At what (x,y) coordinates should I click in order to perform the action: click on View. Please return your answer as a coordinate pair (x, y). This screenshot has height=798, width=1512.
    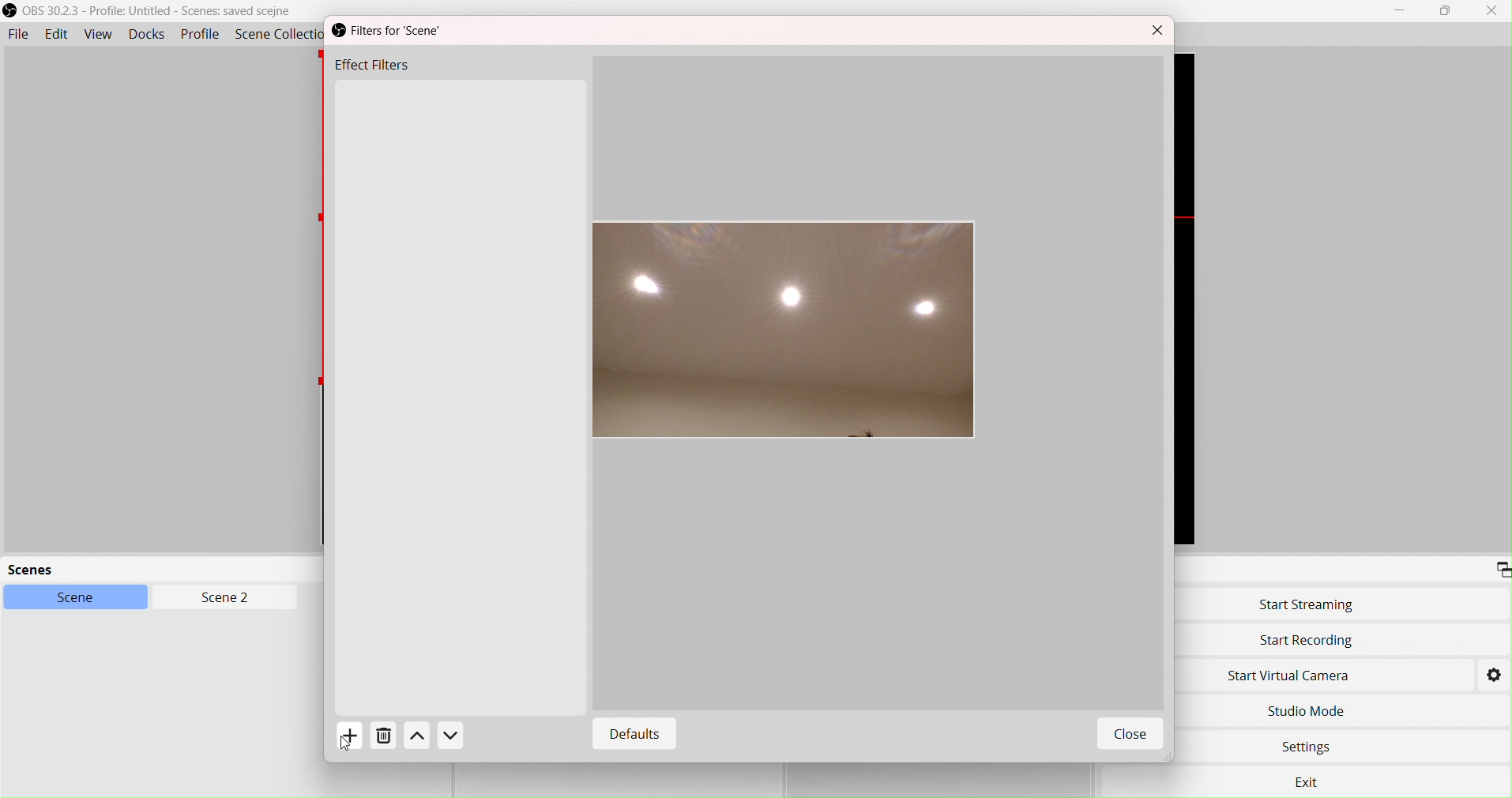
    Looking at the image, I should click on (99, 35).